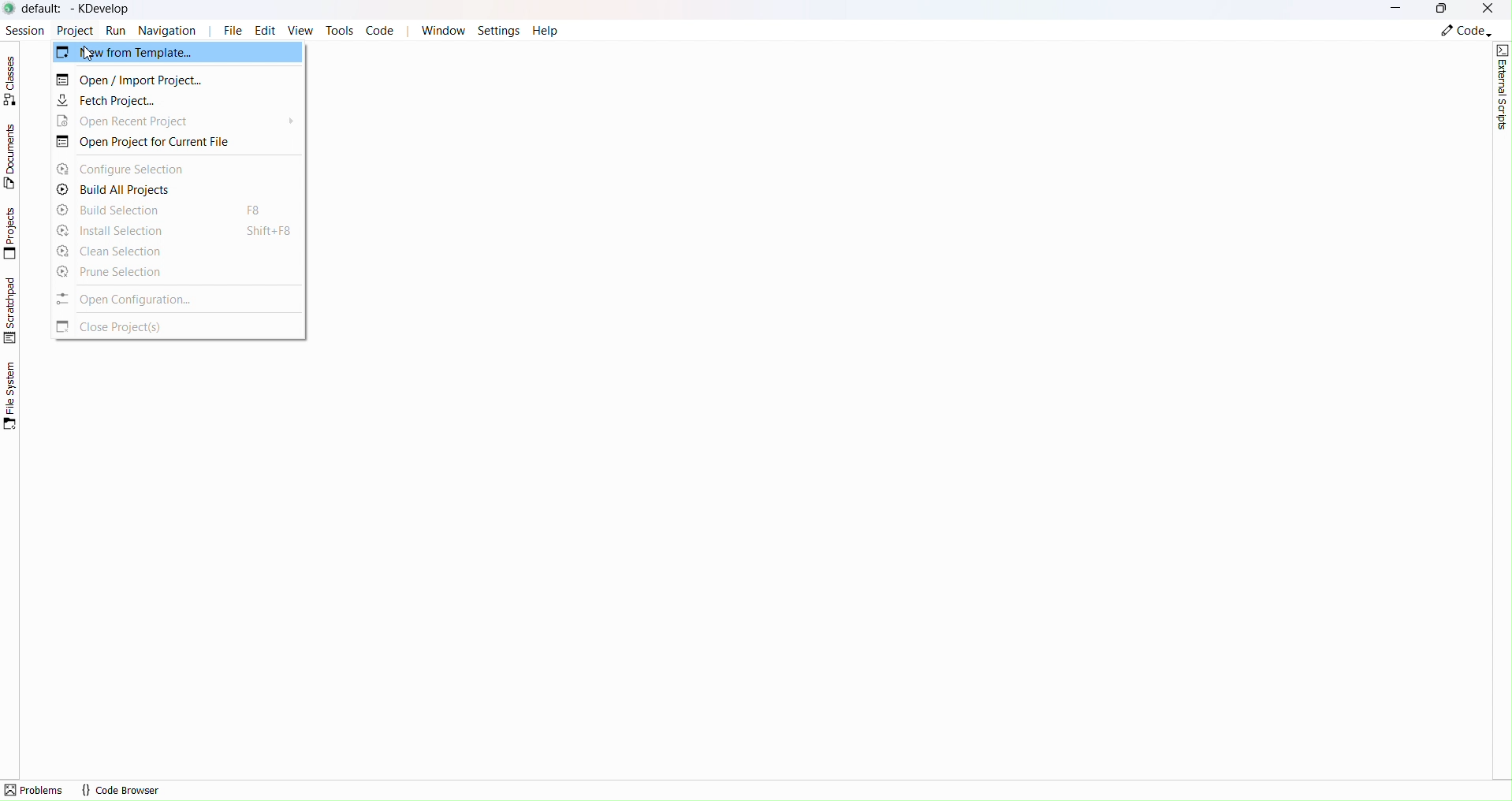 This screenshot has width=1512, height=801. I want to click on Projects, so click(13, 233).